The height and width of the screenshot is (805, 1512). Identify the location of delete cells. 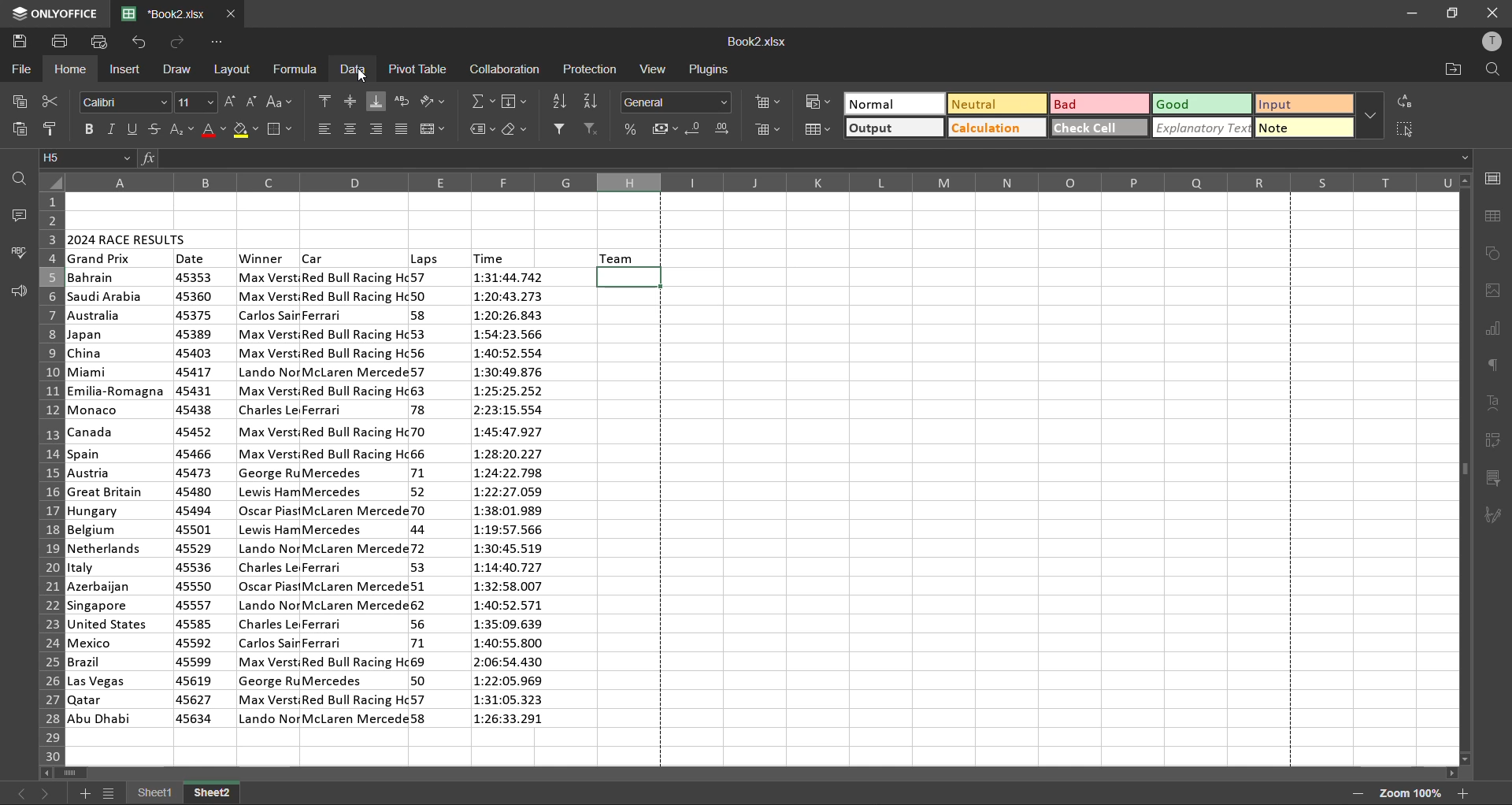
(769, 132).